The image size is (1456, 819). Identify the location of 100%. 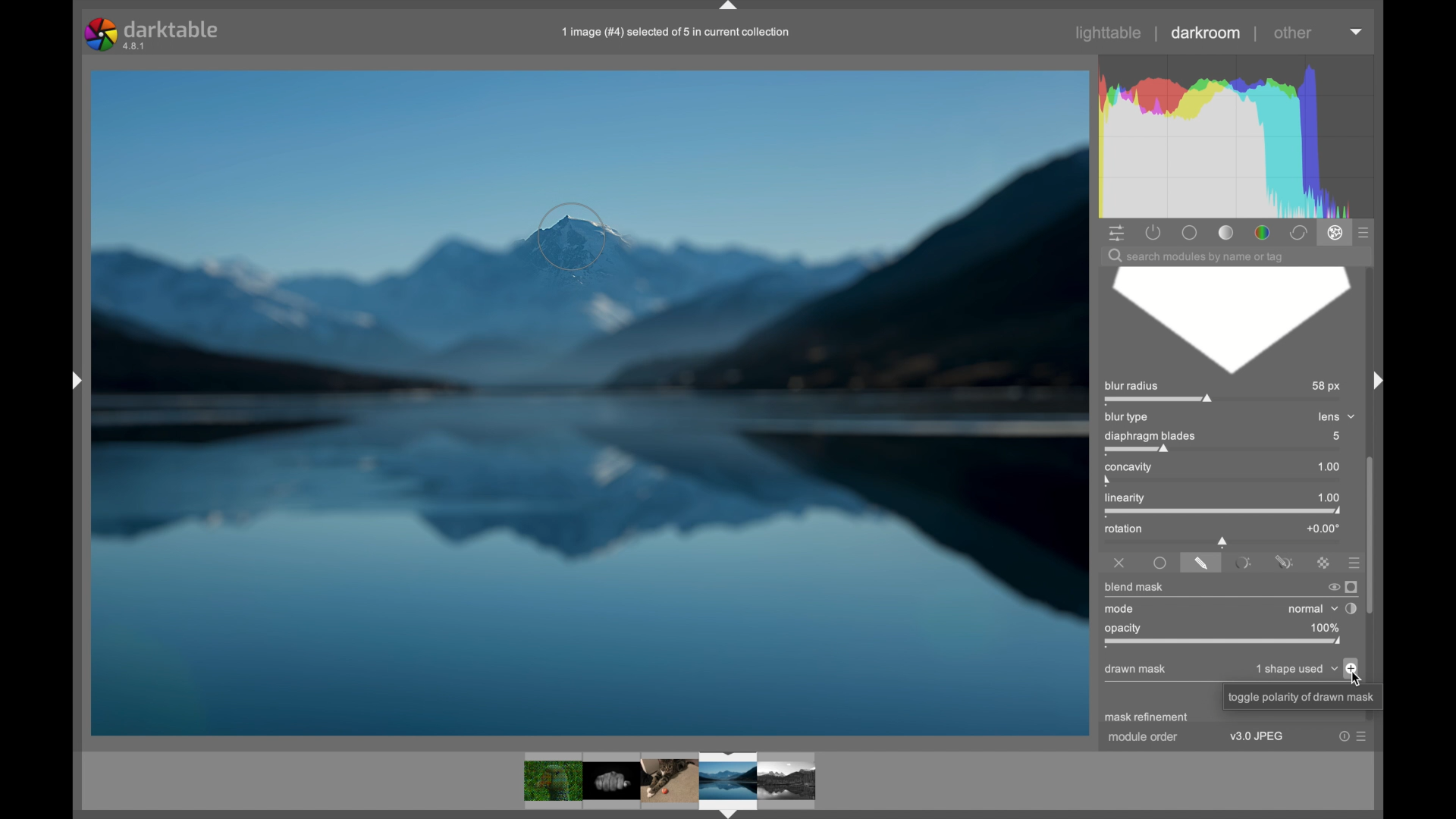
(1325, 627).